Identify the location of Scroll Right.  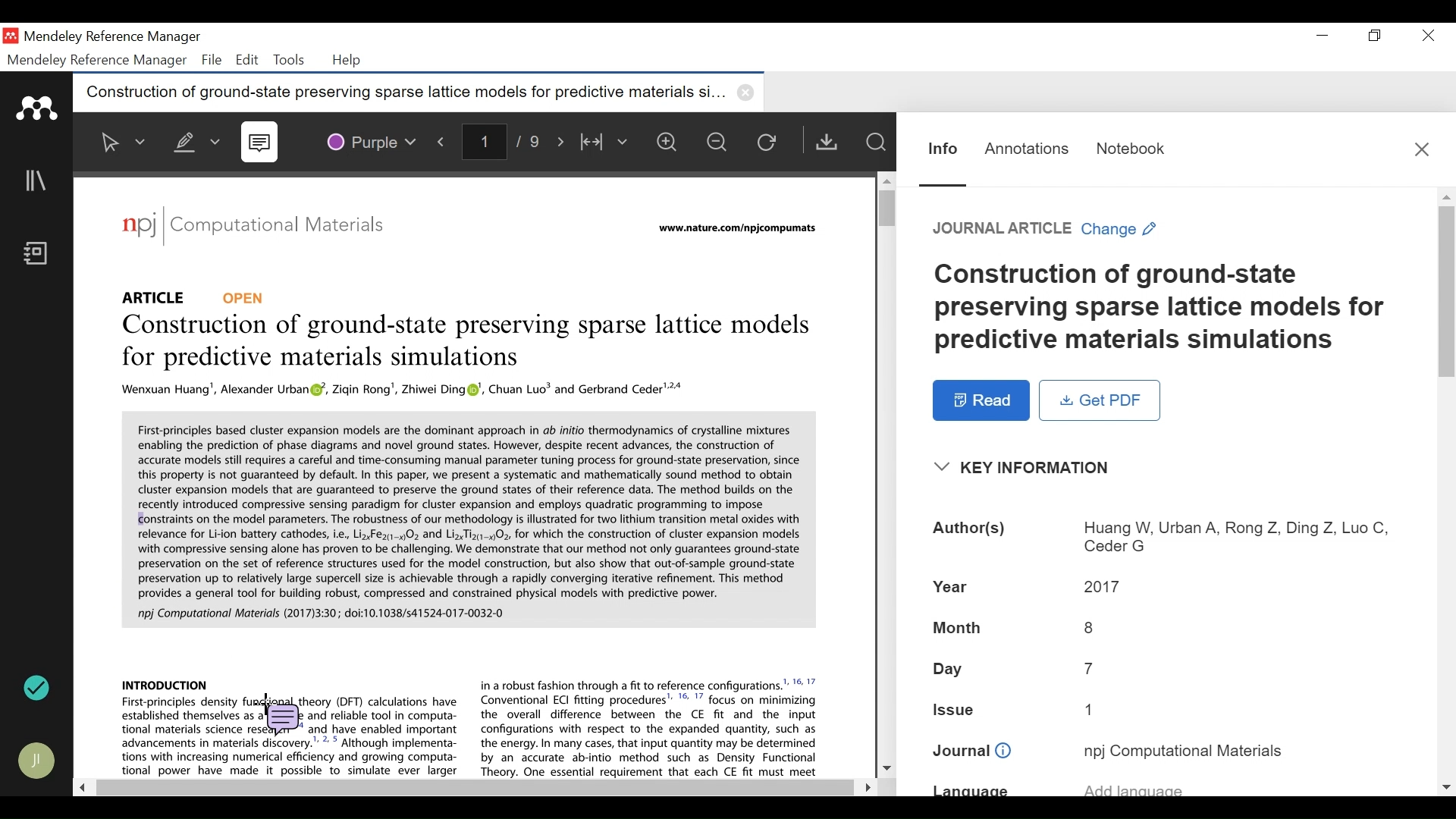
(864, 785).